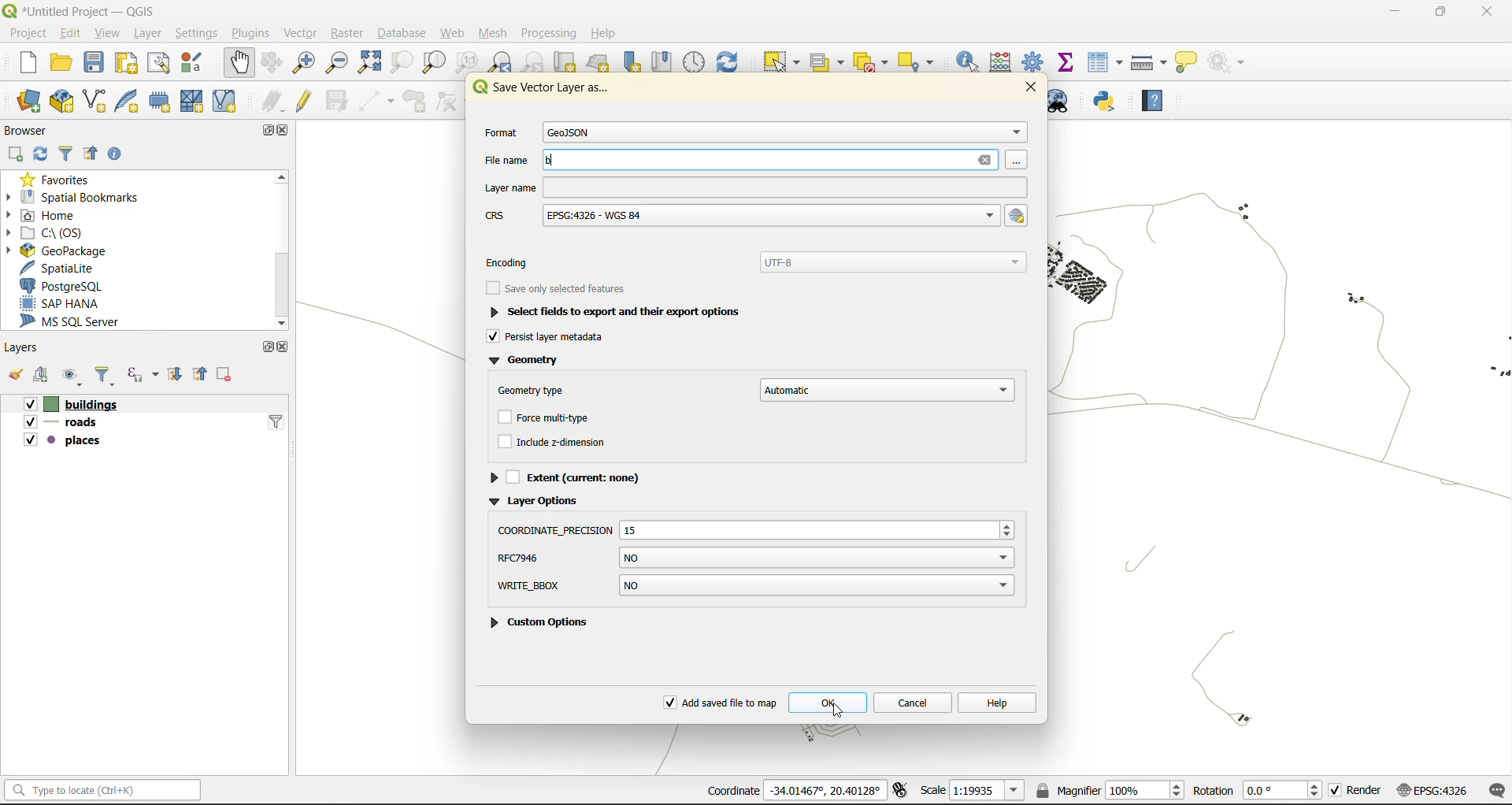  What do you see at coordinates (58, 62) in the screenshot?
I see `open` at bounding box center [58, 62].